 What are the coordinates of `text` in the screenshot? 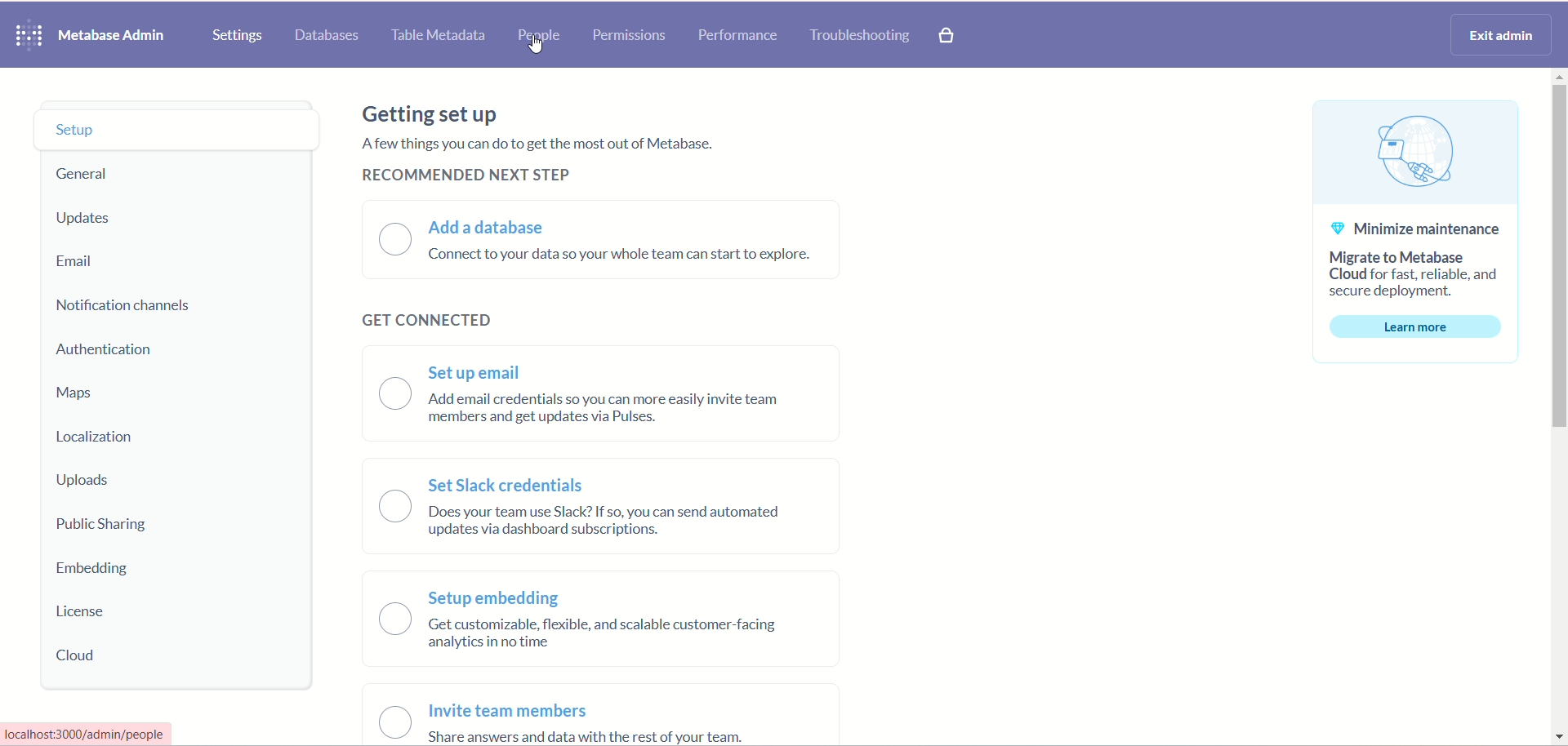 It's located at (613, 409).